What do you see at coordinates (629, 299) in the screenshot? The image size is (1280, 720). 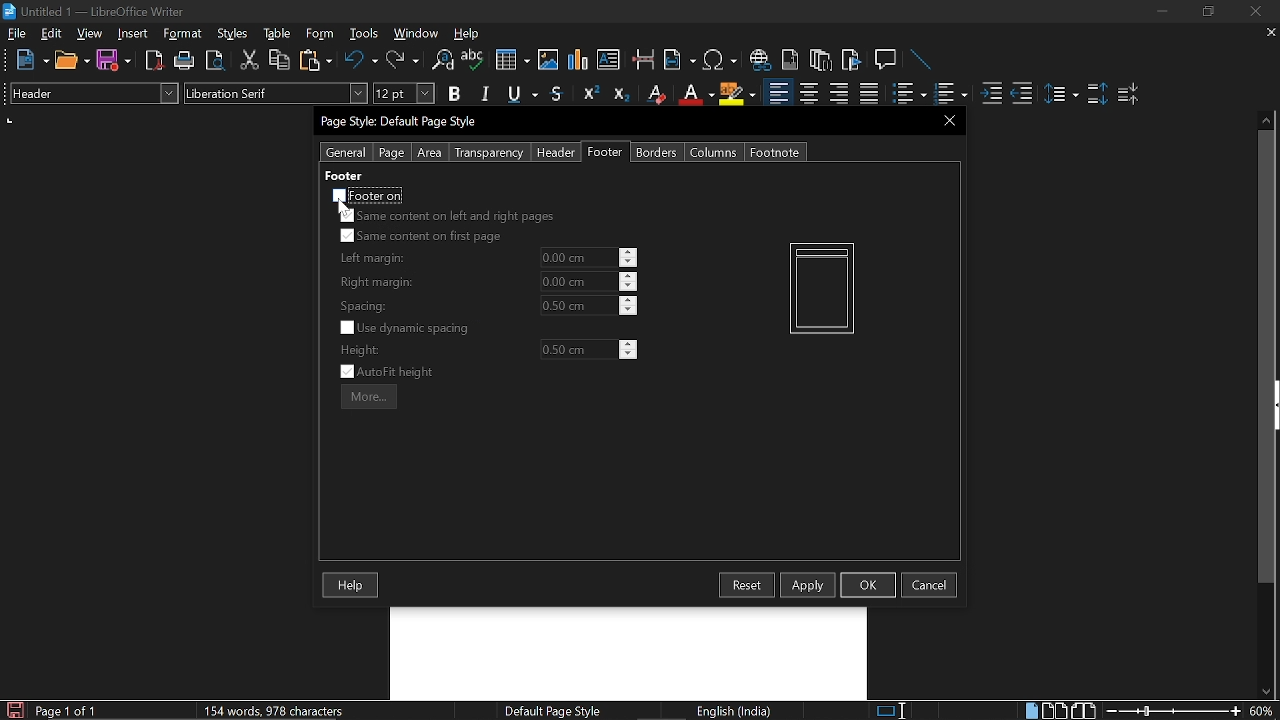 I see `increase spacing` at bounding box center [629, 299].